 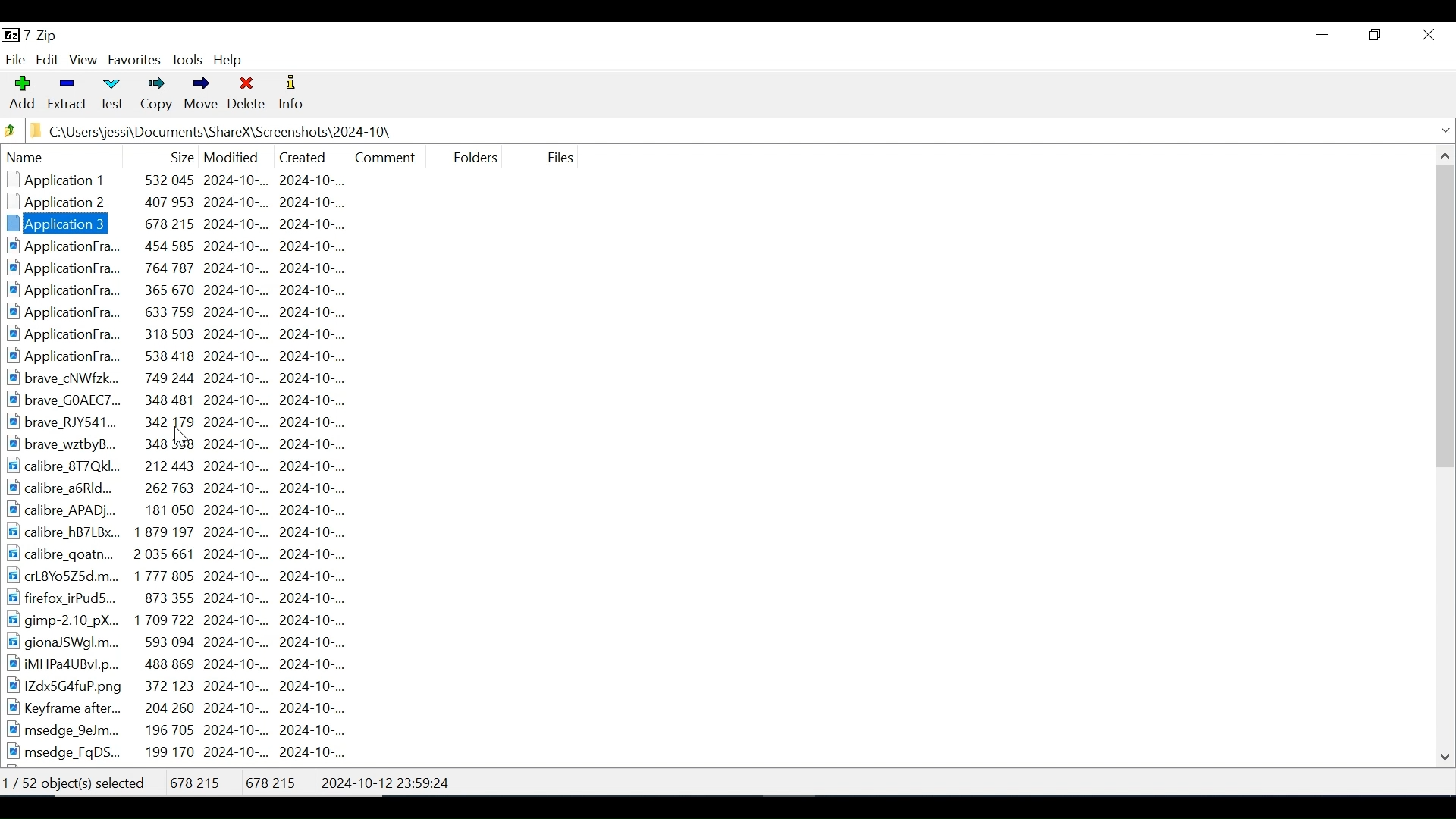 What do you see at coordinates (133, 60) in the screenshot?
I see `Favorites` at bounding box center [133, 60].